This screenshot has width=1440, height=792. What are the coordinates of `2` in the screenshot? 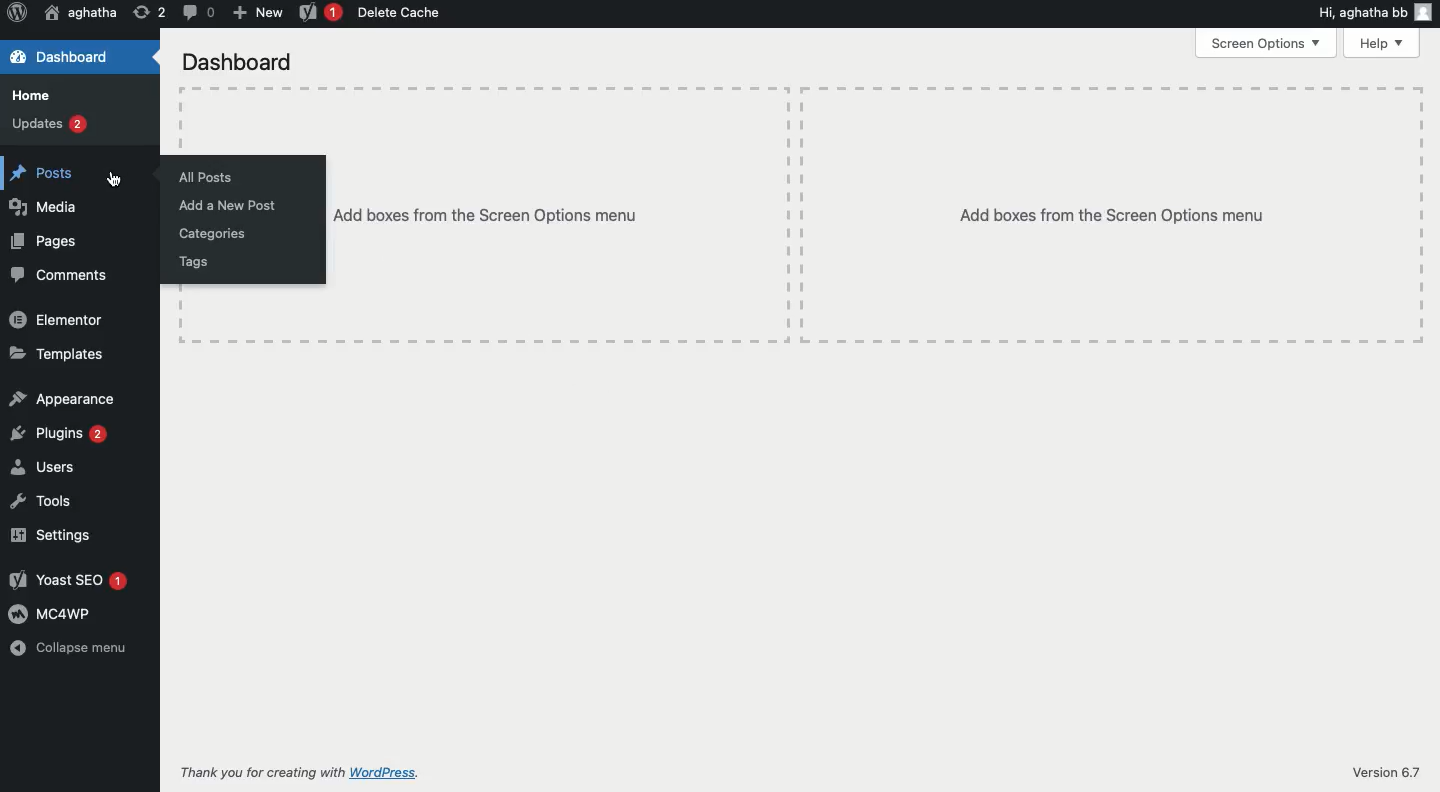 It's located at (150, 15).